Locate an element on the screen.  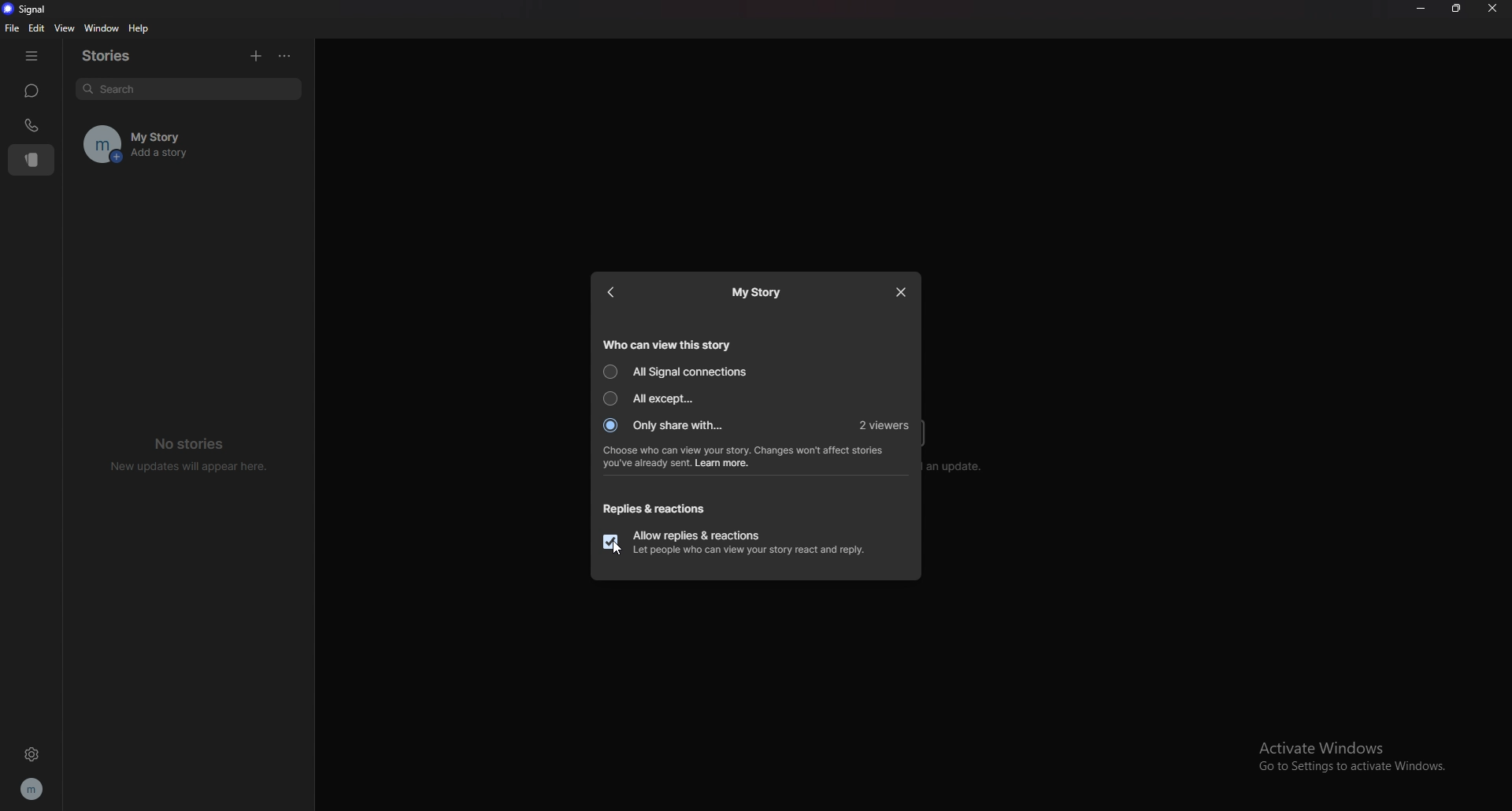
Let people who can view your story react and reply. is located at coordinates (749, 551).